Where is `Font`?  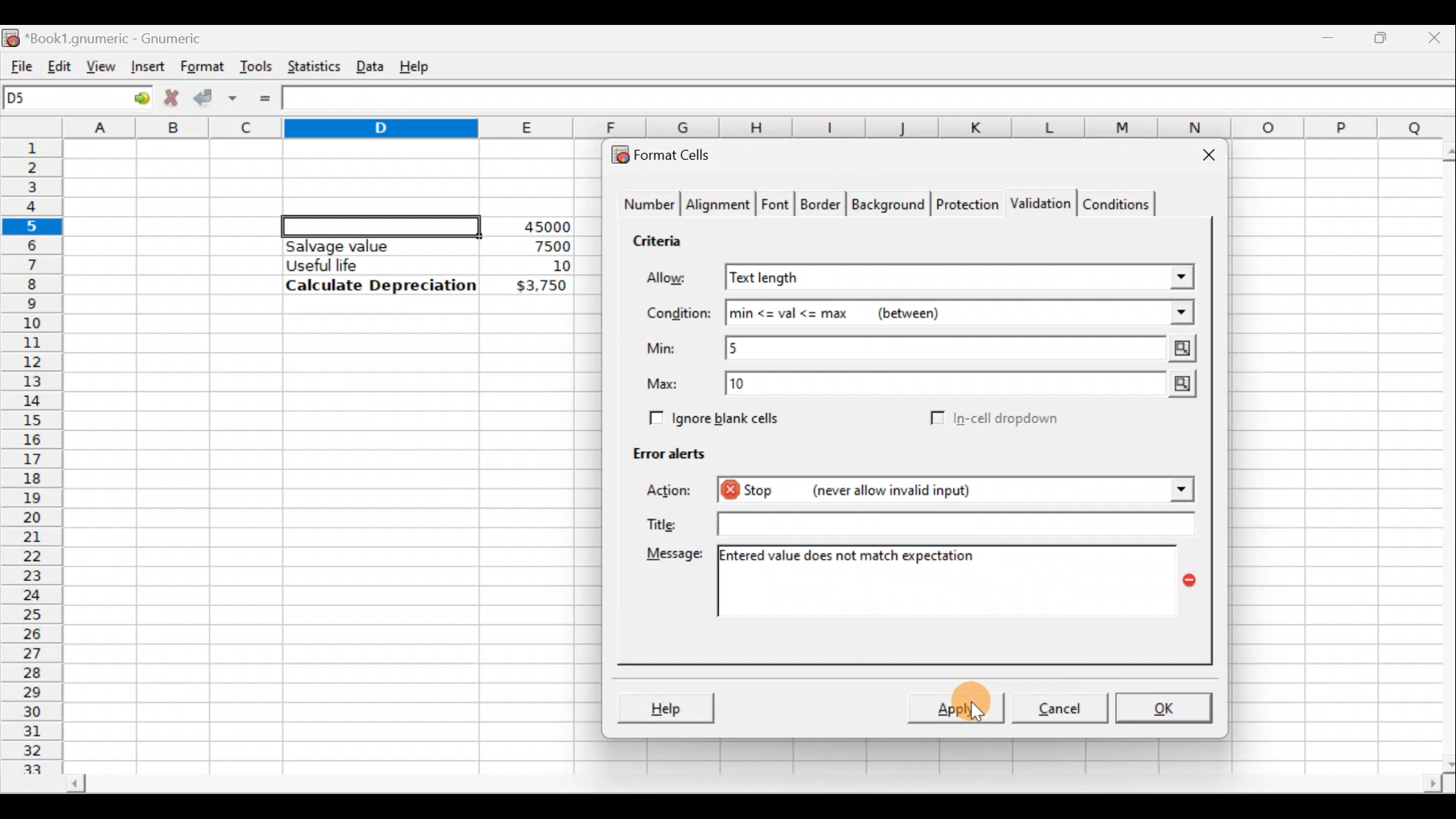
Font is located at coordinates (777, 206).